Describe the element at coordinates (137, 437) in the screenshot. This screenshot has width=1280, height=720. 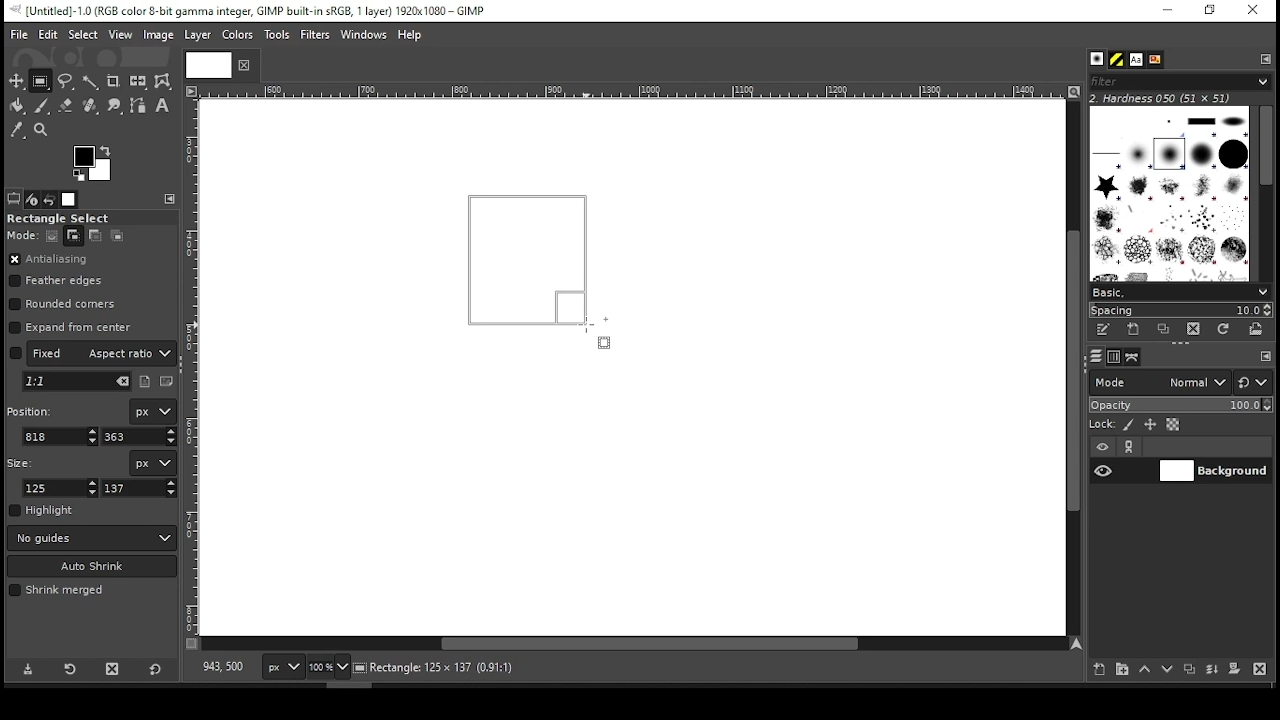
I see `y` at that location.